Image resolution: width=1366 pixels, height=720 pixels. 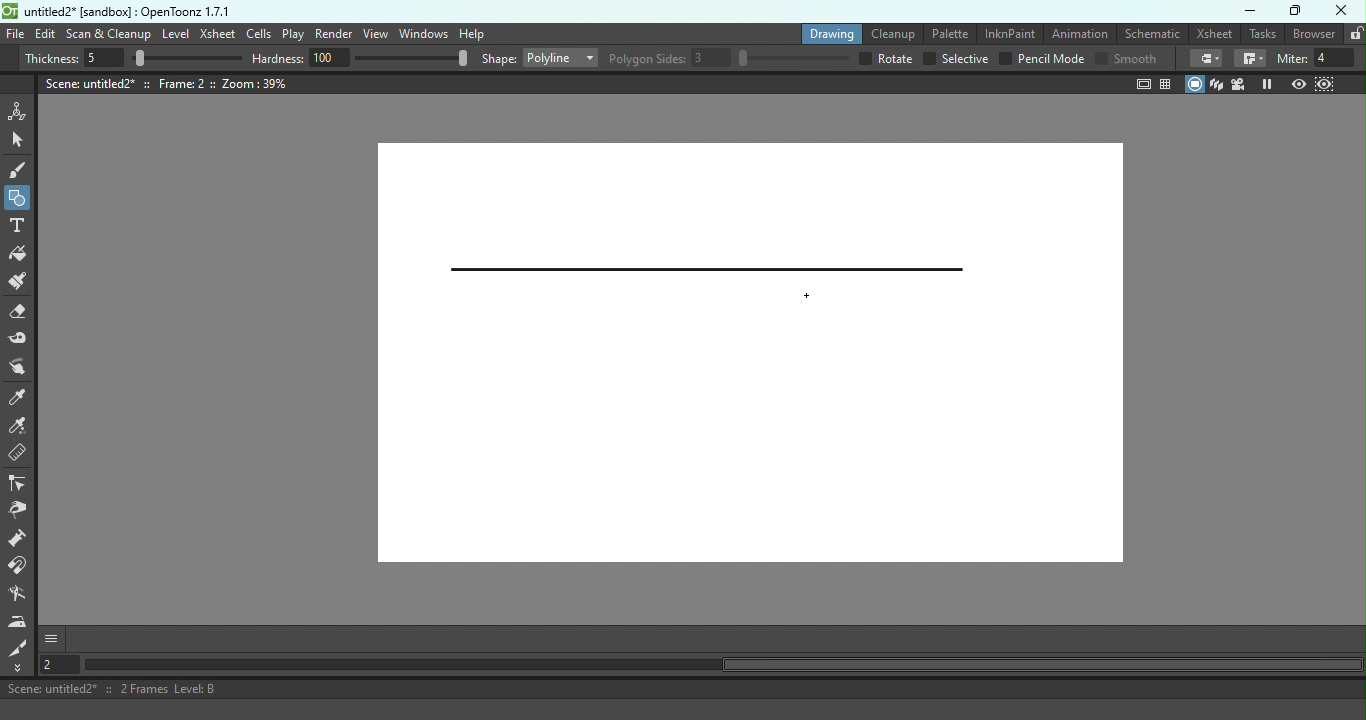 What do you see at coordinates (334, 34) in the screenshot?
I see `Render` at bounding box center [334, 34].